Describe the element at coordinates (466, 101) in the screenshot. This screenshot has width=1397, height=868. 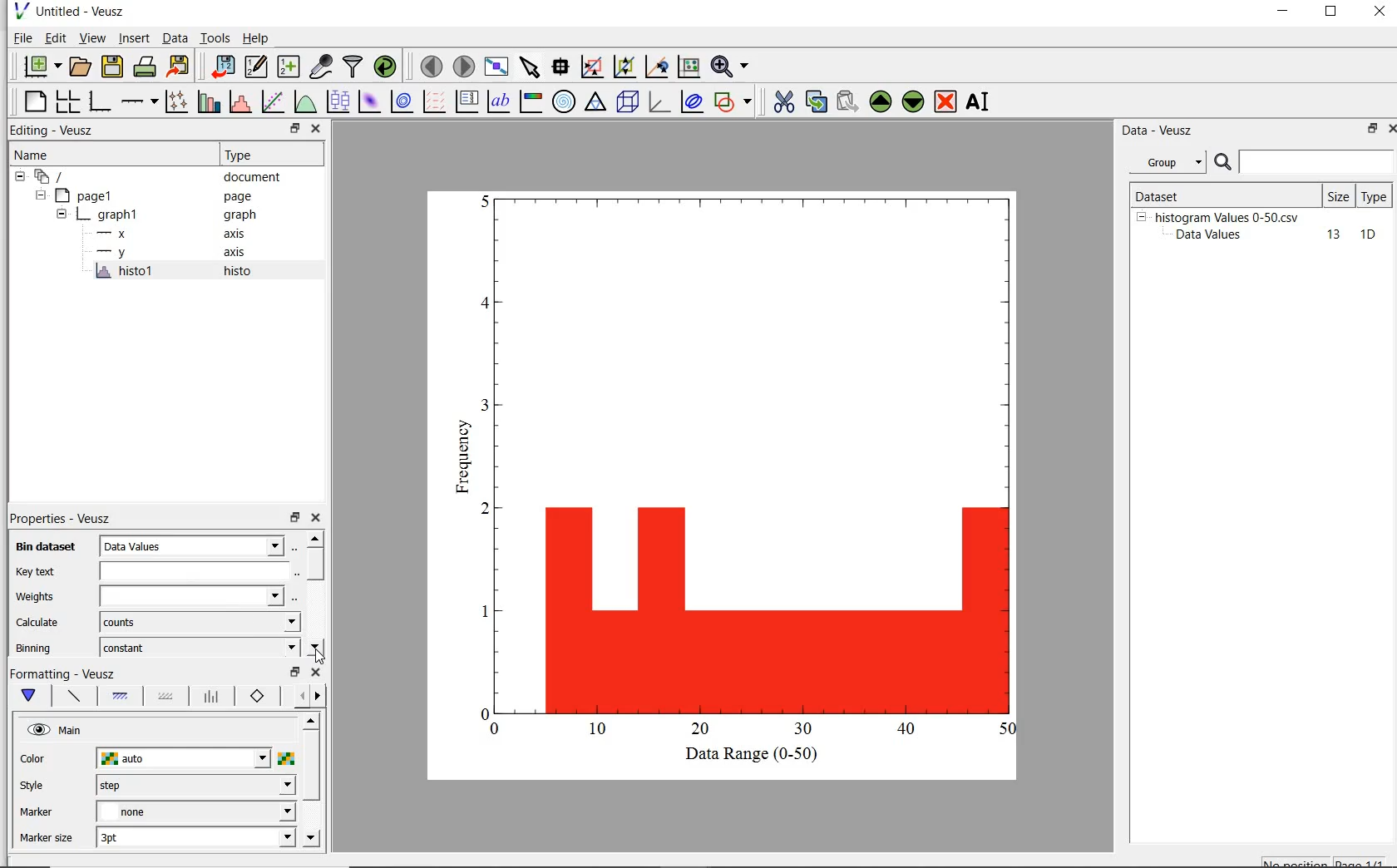
I see `plot key` at that location.